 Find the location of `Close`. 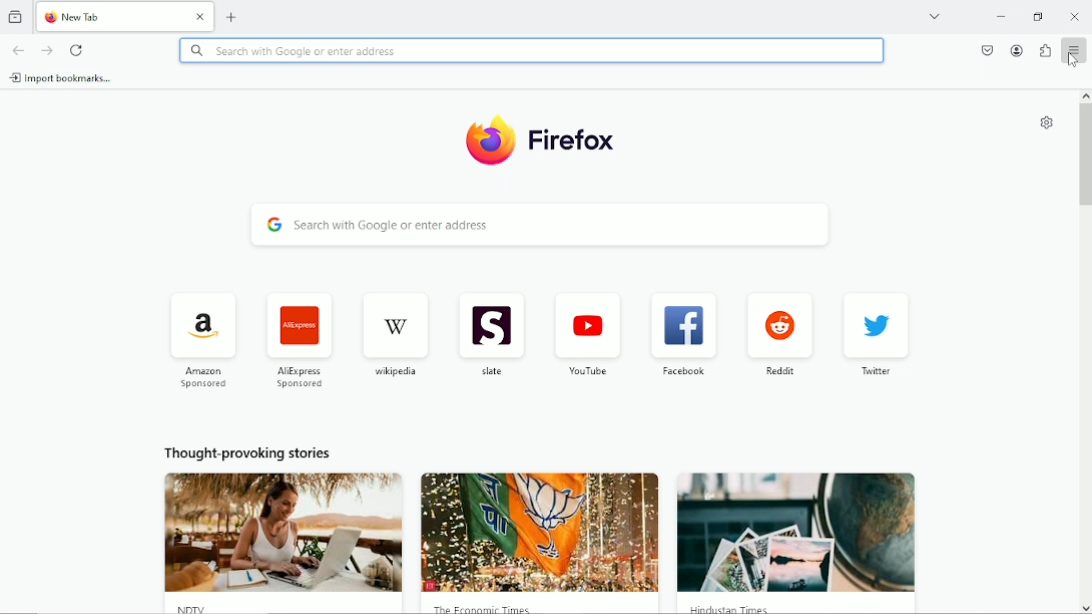

Close is located at coordinates (1072, 16).